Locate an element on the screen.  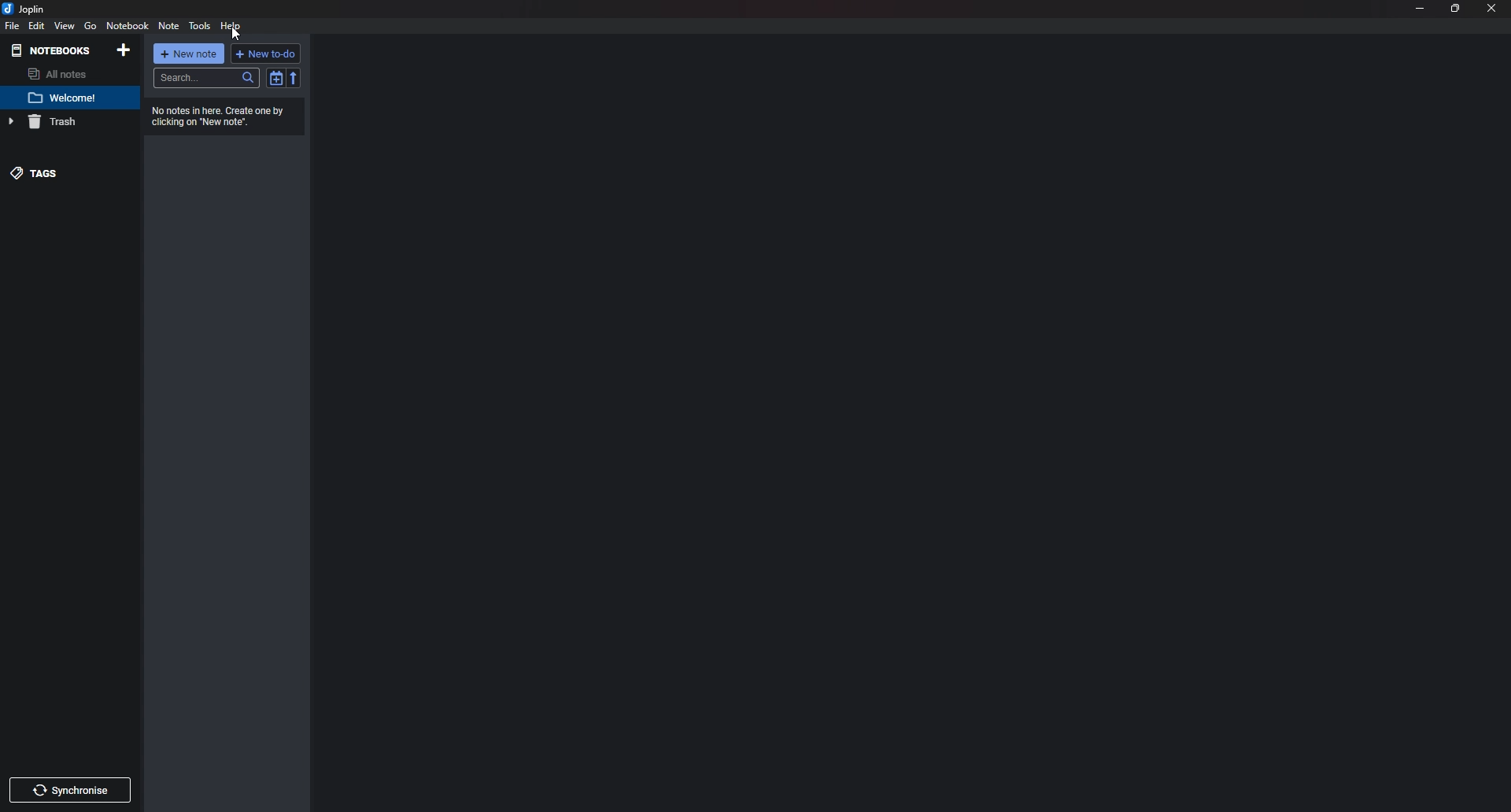
tools is located at coordinates (199, 26).